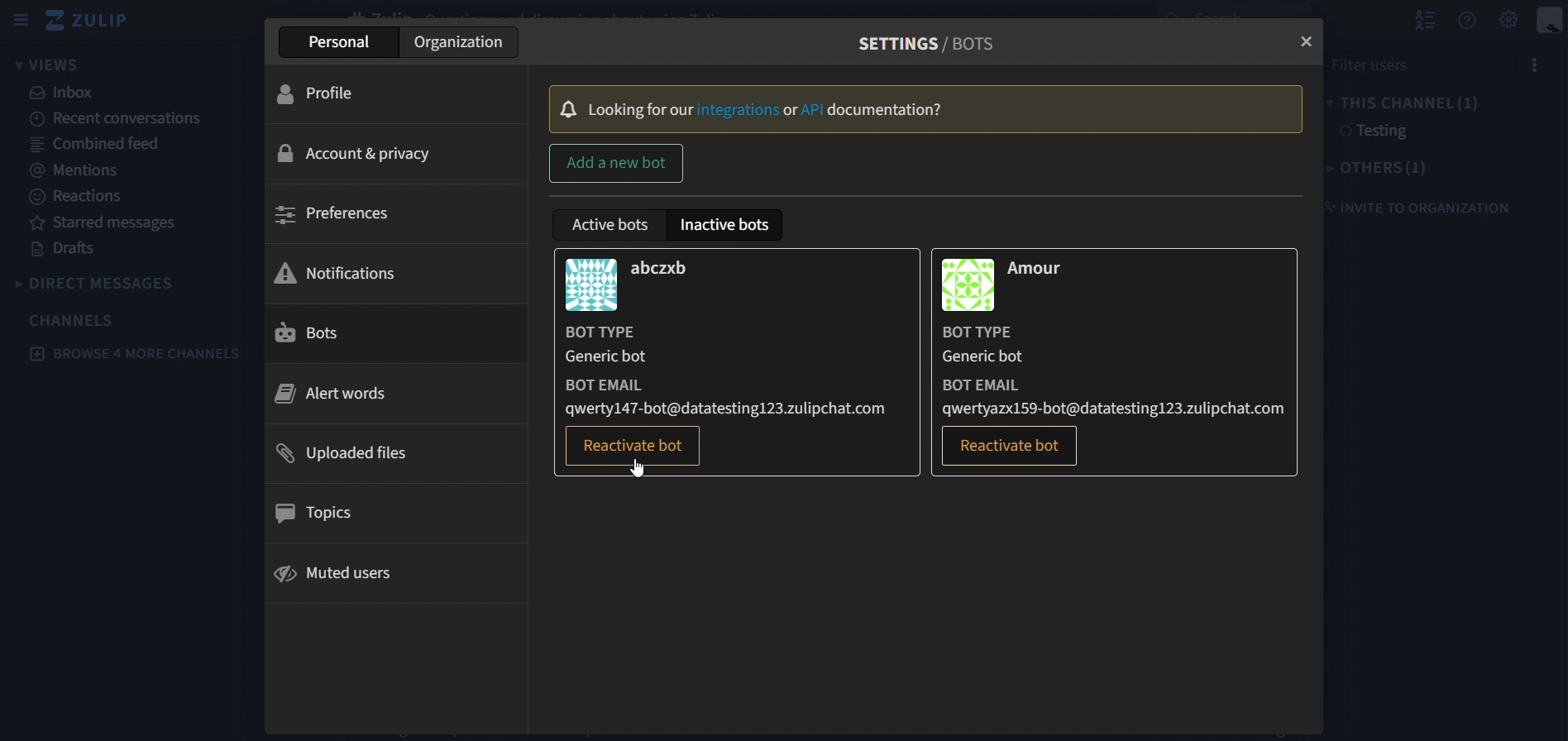 This screenshot has width=1568, height=741. What do you see at coordinates (791, 111) in the screenshot?
I see `or` at bounding box center [791, 111].